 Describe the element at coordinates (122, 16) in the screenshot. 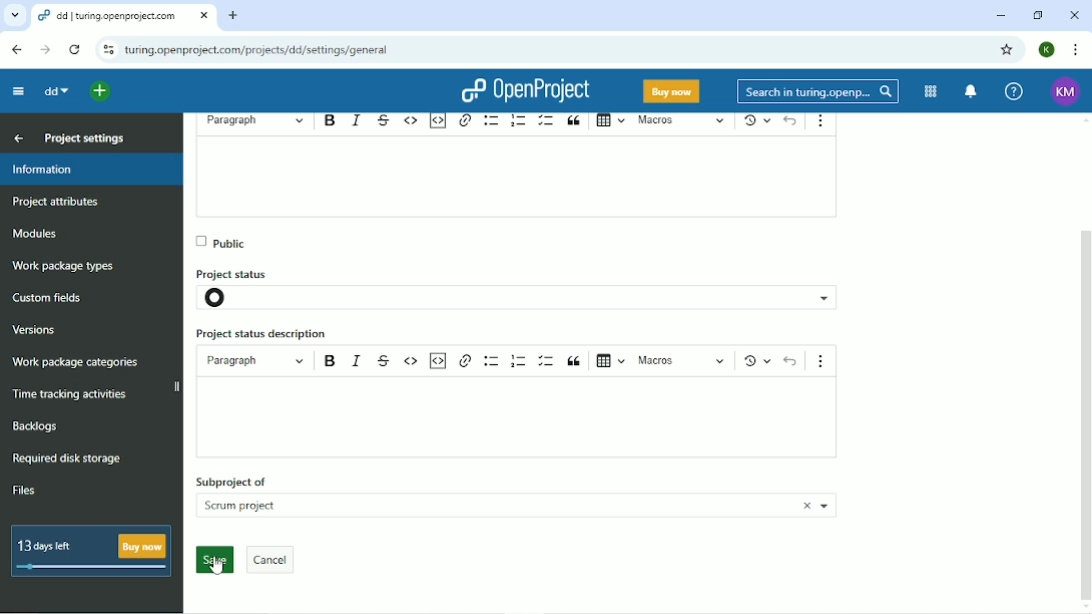

I see `dd/turing.openproject.com` at that location.